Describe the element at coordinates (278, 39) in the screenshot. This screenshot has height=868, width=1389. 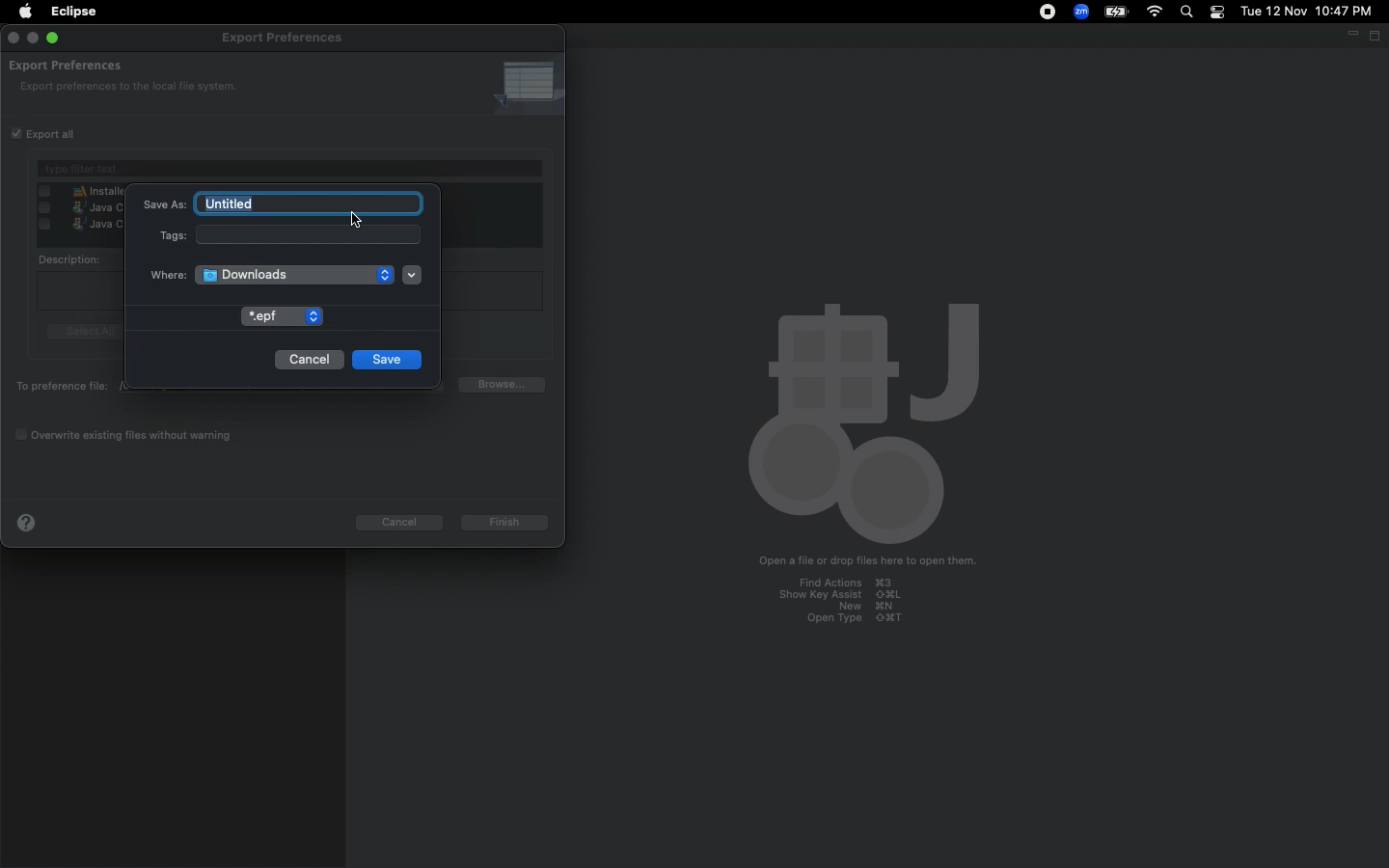
I see `Export preferences ` at that location.